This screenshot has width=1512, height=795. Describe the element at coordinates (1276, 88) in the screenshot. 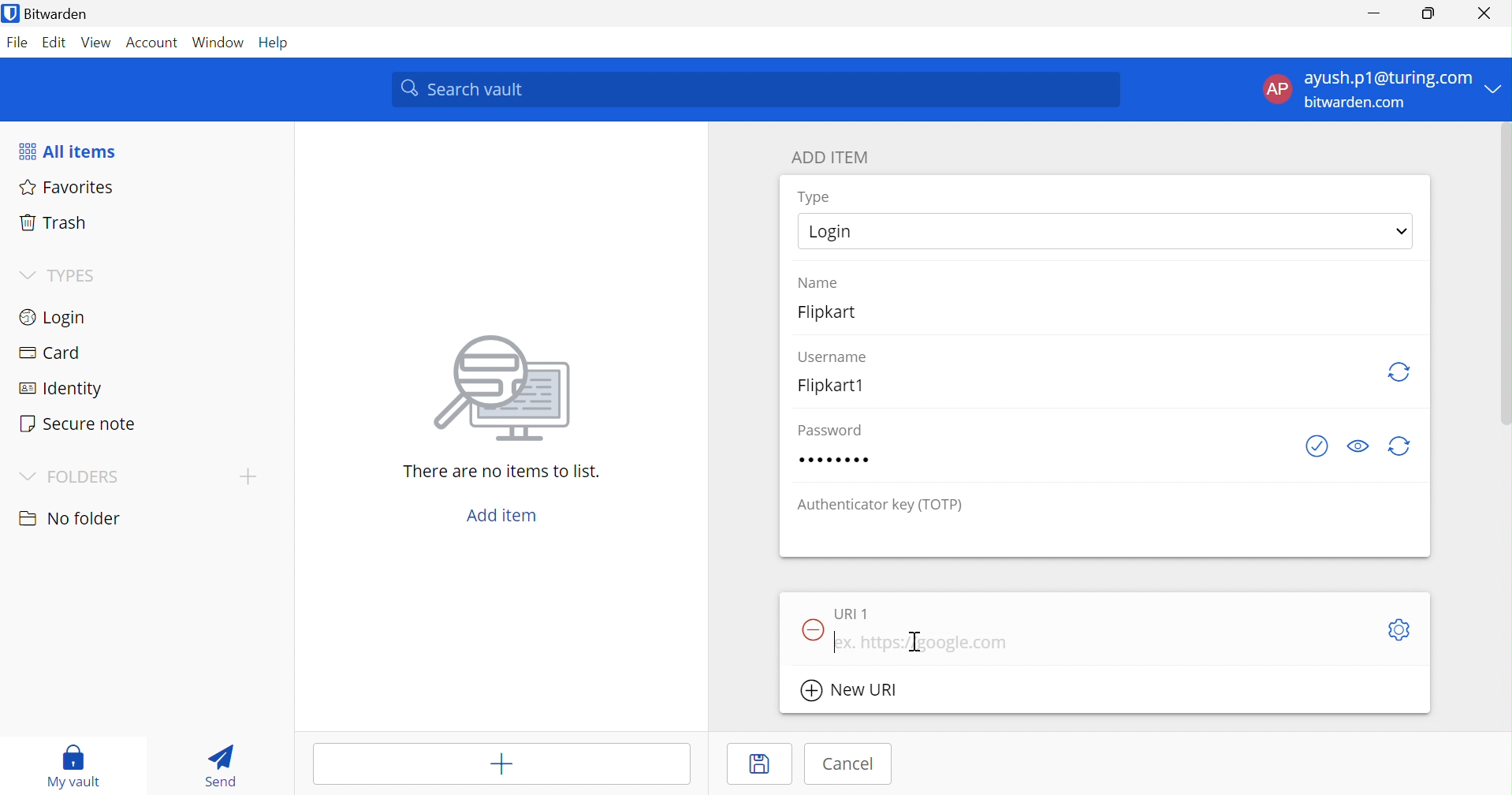

I see `AP` at that location.